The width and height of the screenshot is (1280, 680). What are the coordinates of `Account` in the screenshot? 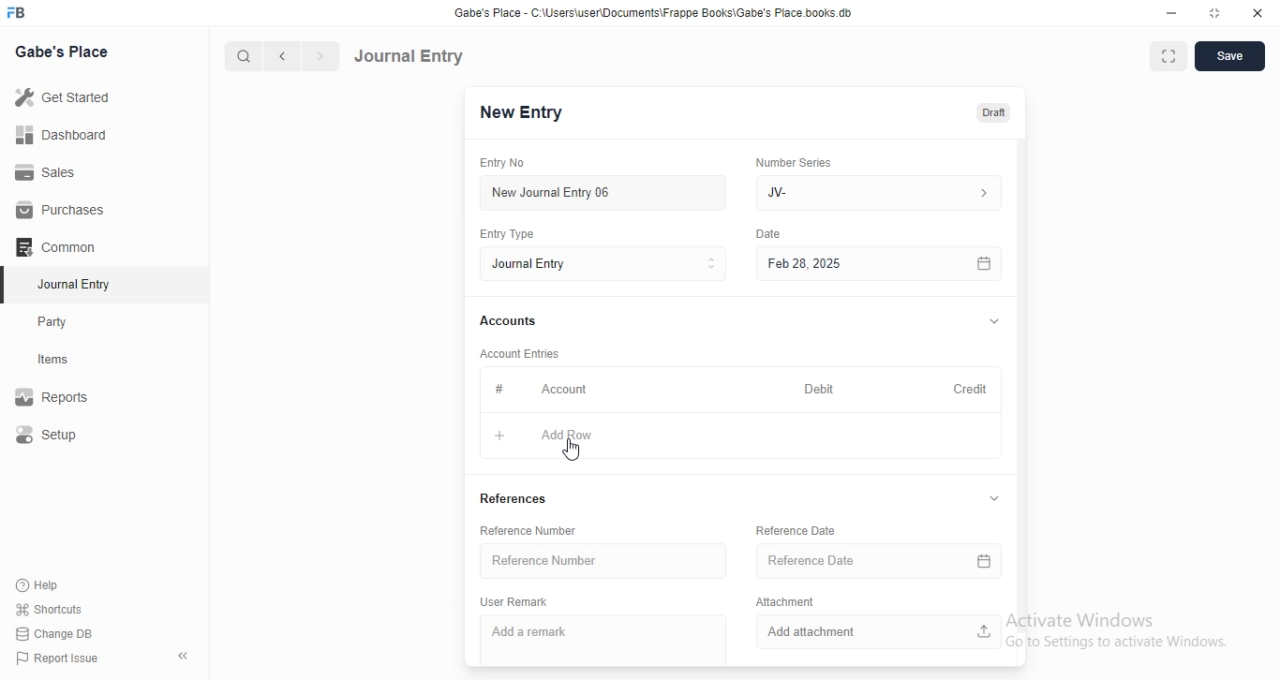 It's located at (549, 391).